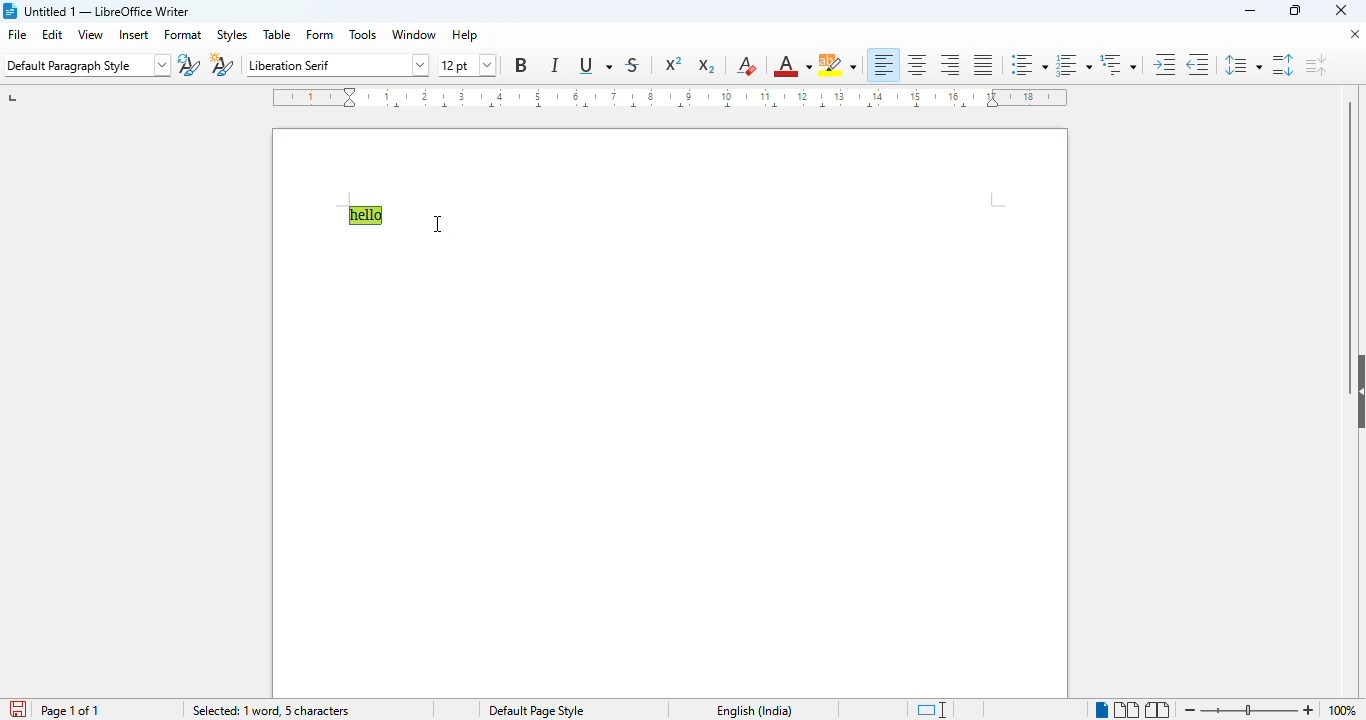 The image size is (1366, 720). I want to click on format, so click(183, 34).